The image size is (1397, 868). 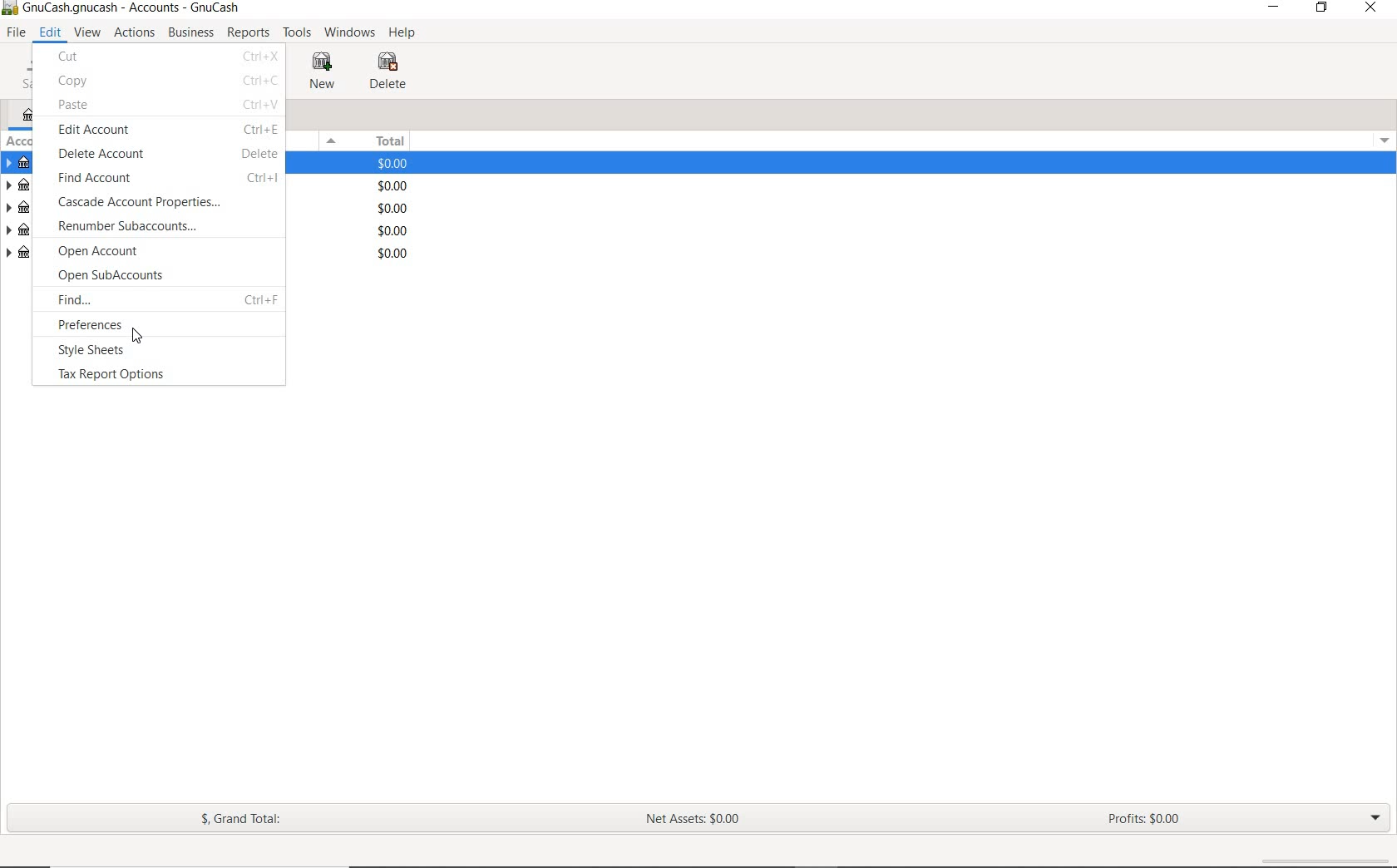 What do you see at coordinates (1323, 8) in the screenshot?
I see `RESTORE DOWN` at bounding box center [1323, 8].